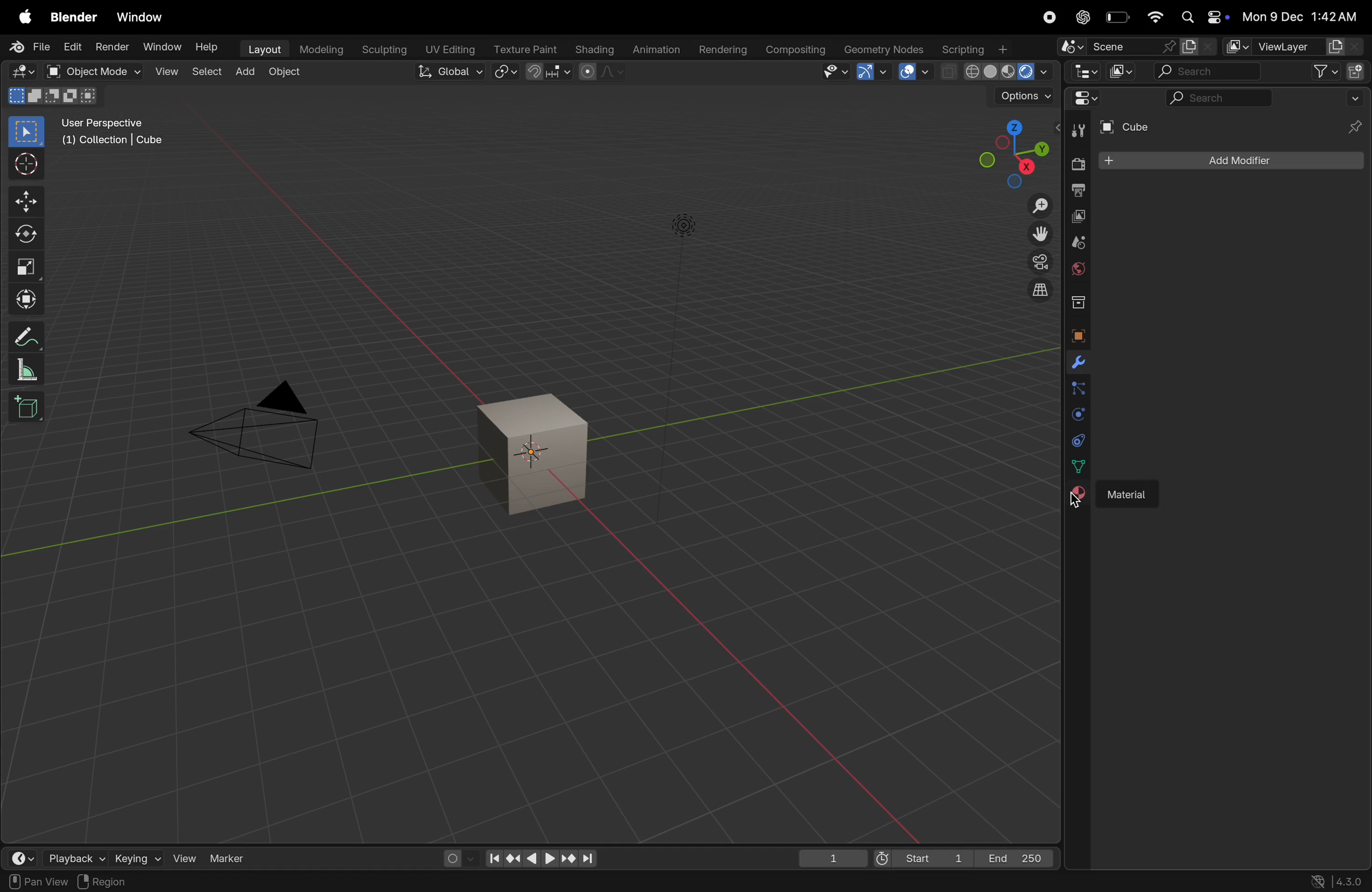  Describe the element at coordinates (24, 369) in the screenshot. I see `measure ` at that location.